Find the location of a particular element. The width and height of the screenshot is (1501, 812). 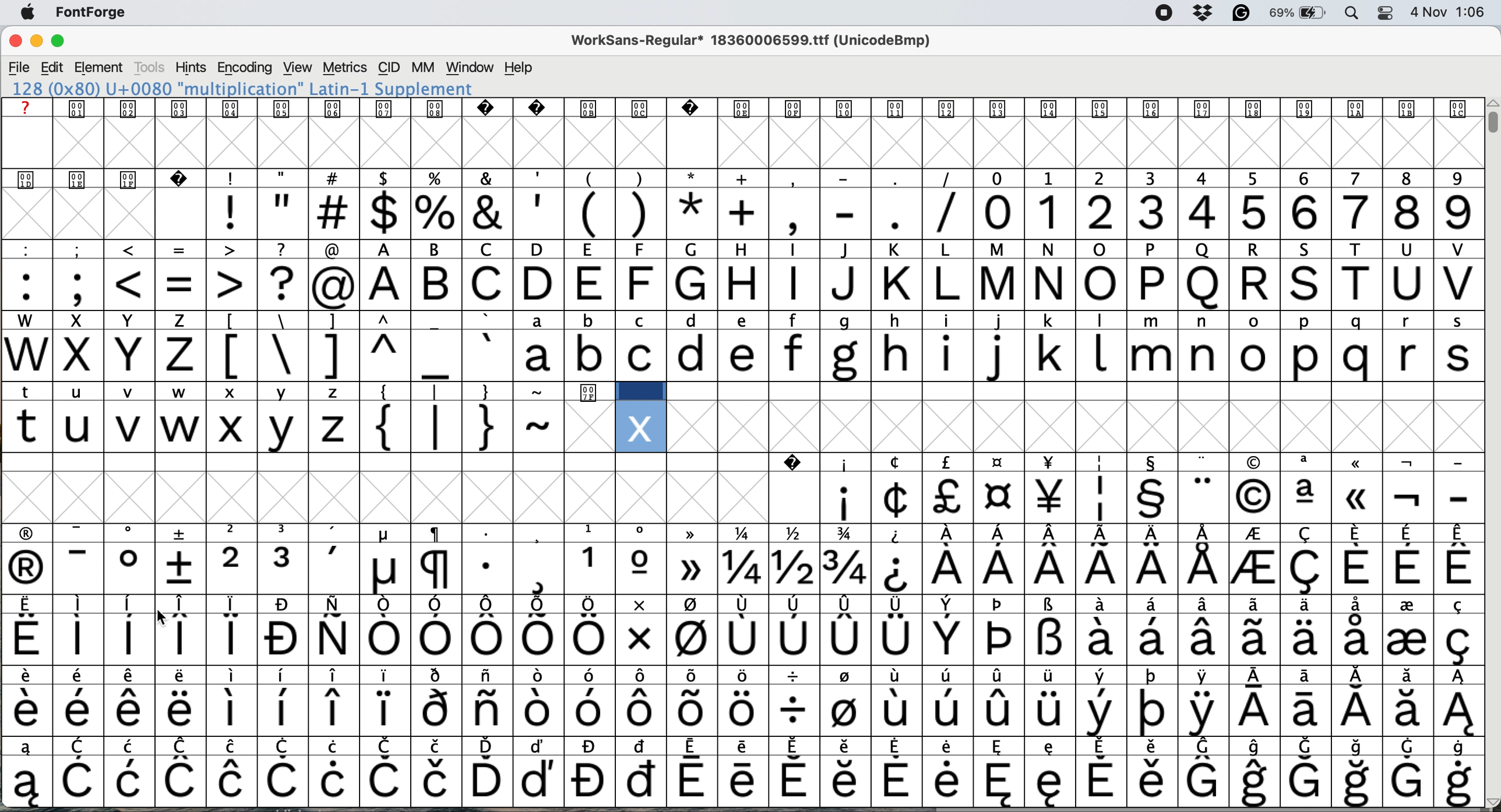

special characters is located at coordinates (737, 648).